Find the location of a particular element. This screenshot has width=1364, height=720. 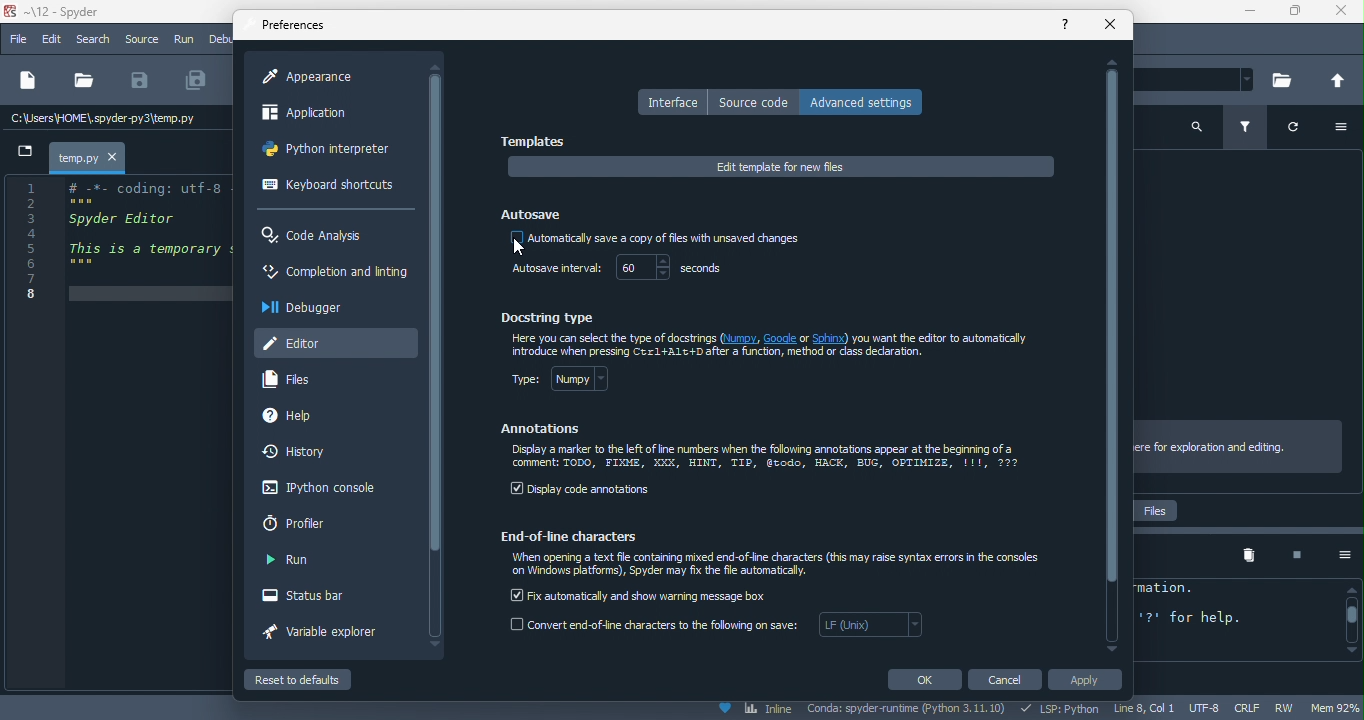

lsp python is located at coordinates (1063, 709).